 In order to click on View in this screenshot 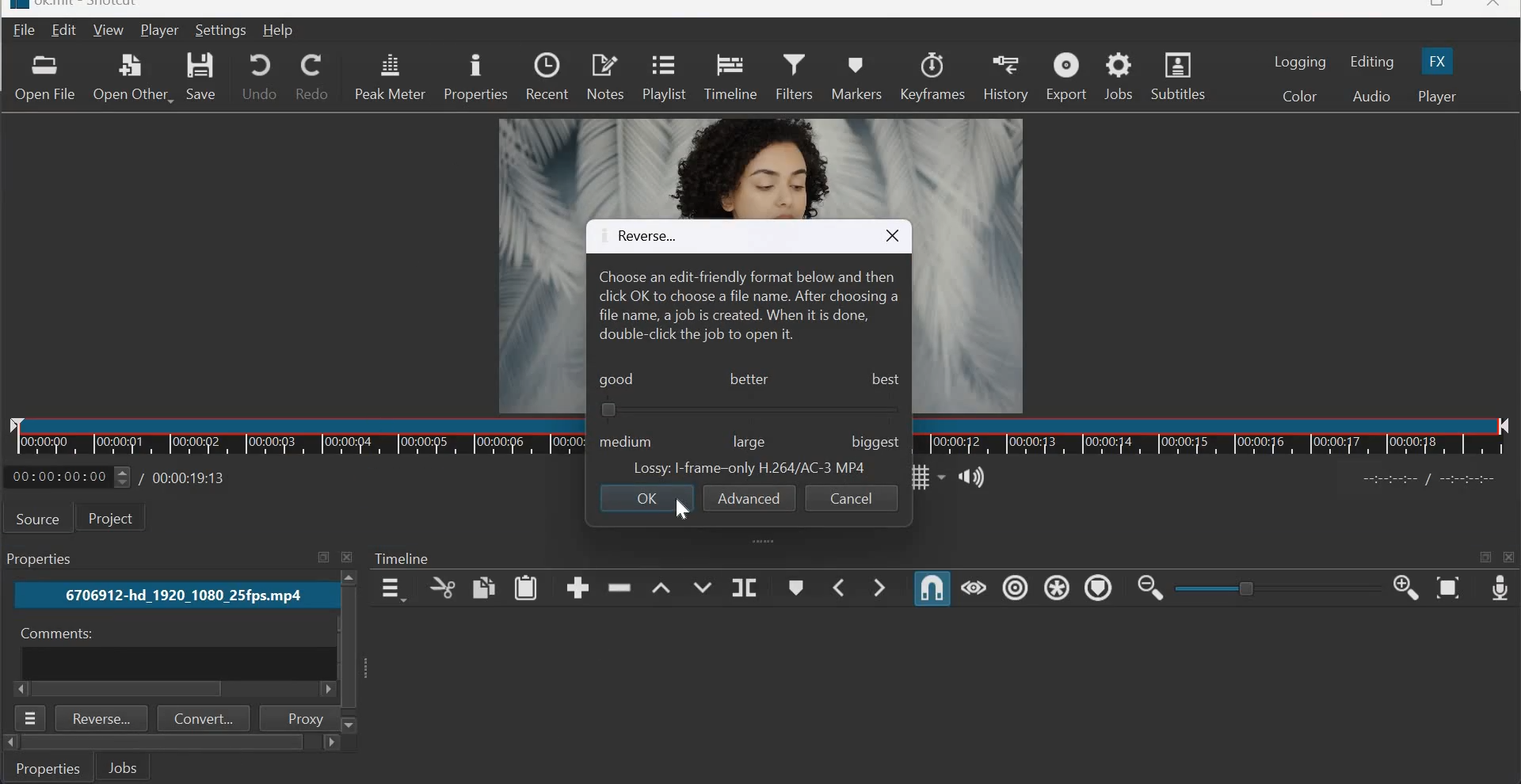, I will do `click(109, 29)`.